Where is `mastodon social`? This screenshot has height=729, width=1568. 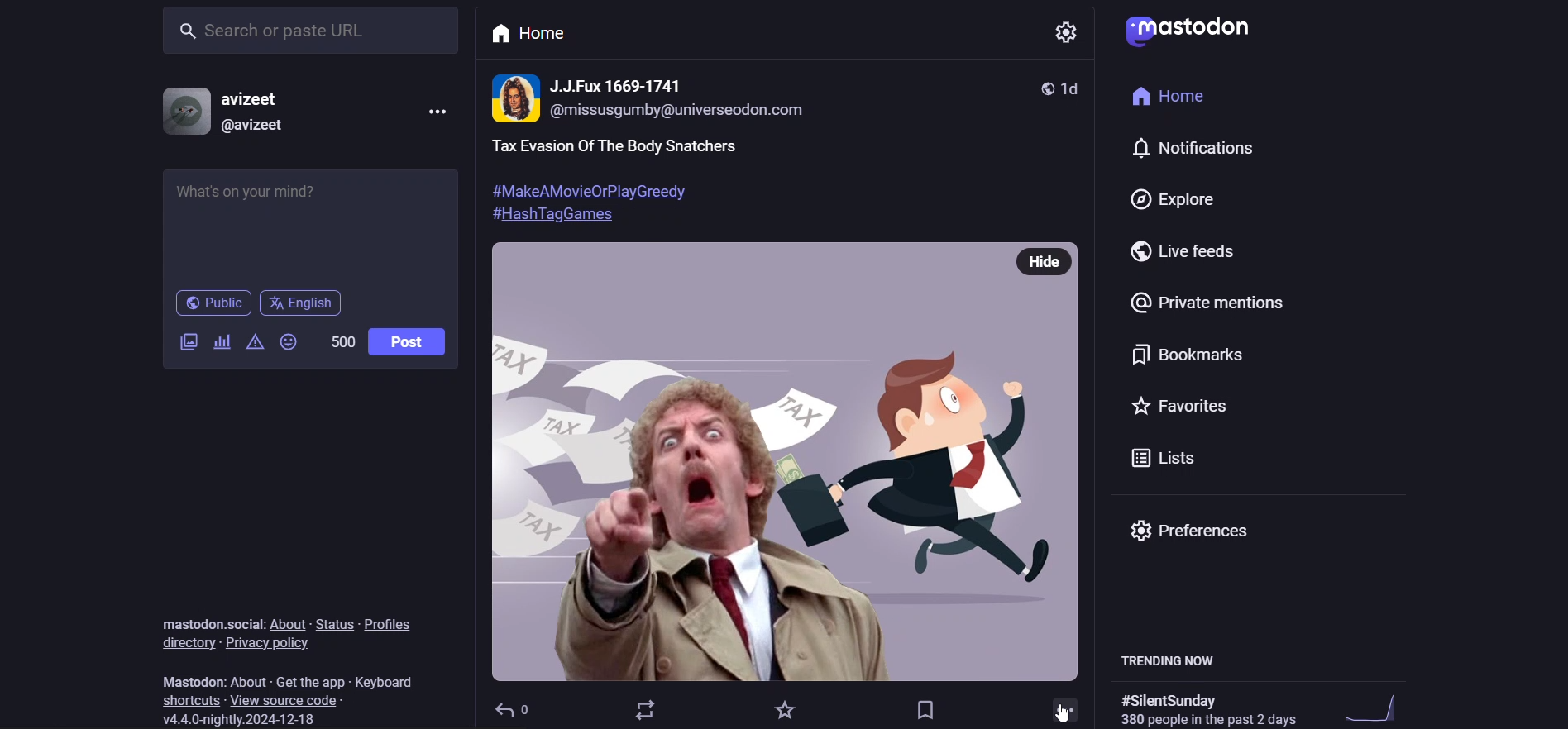 mastodon social is located at coordinates (206, 622).